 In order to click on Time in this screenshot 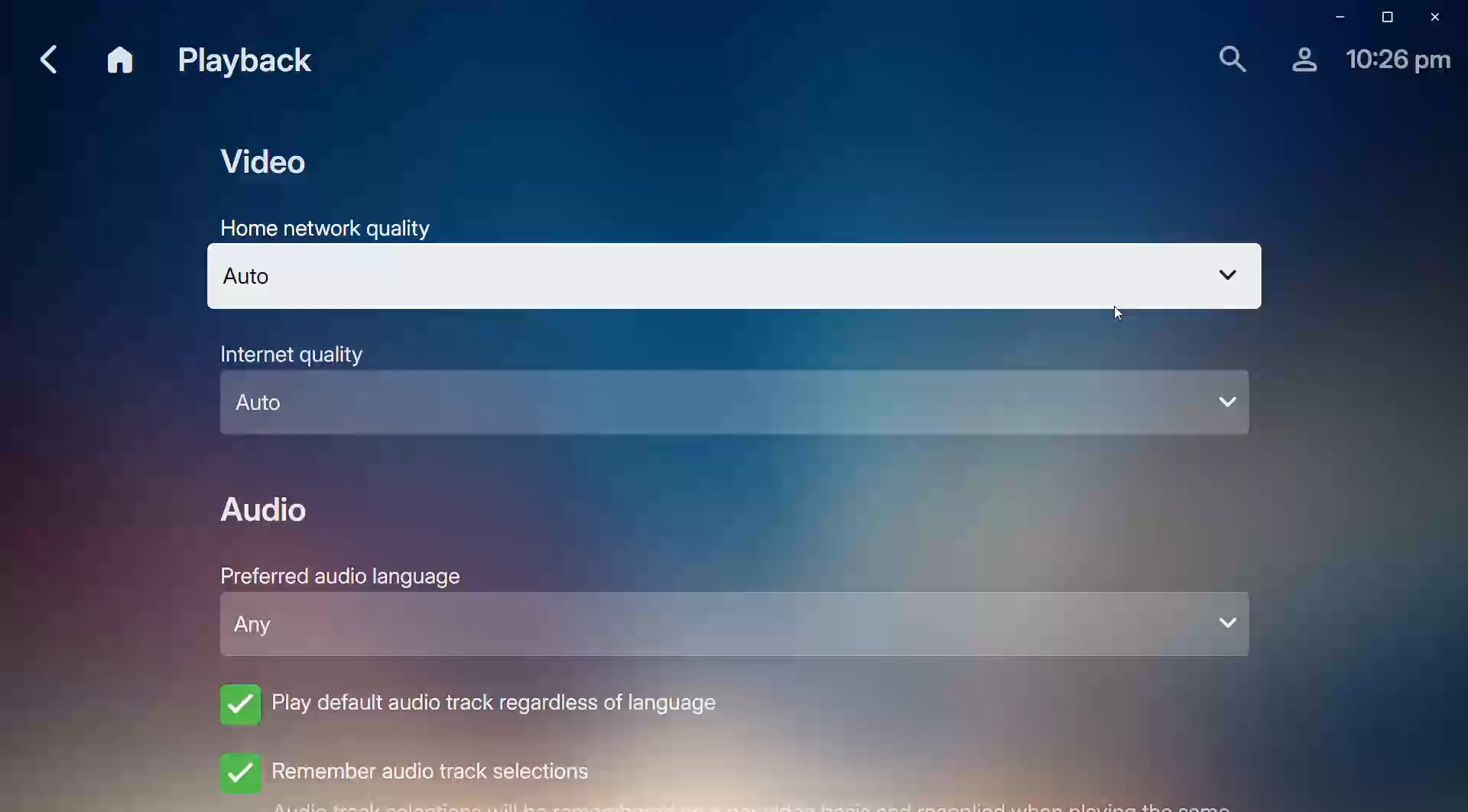, I will do `click(1400, 61)`.